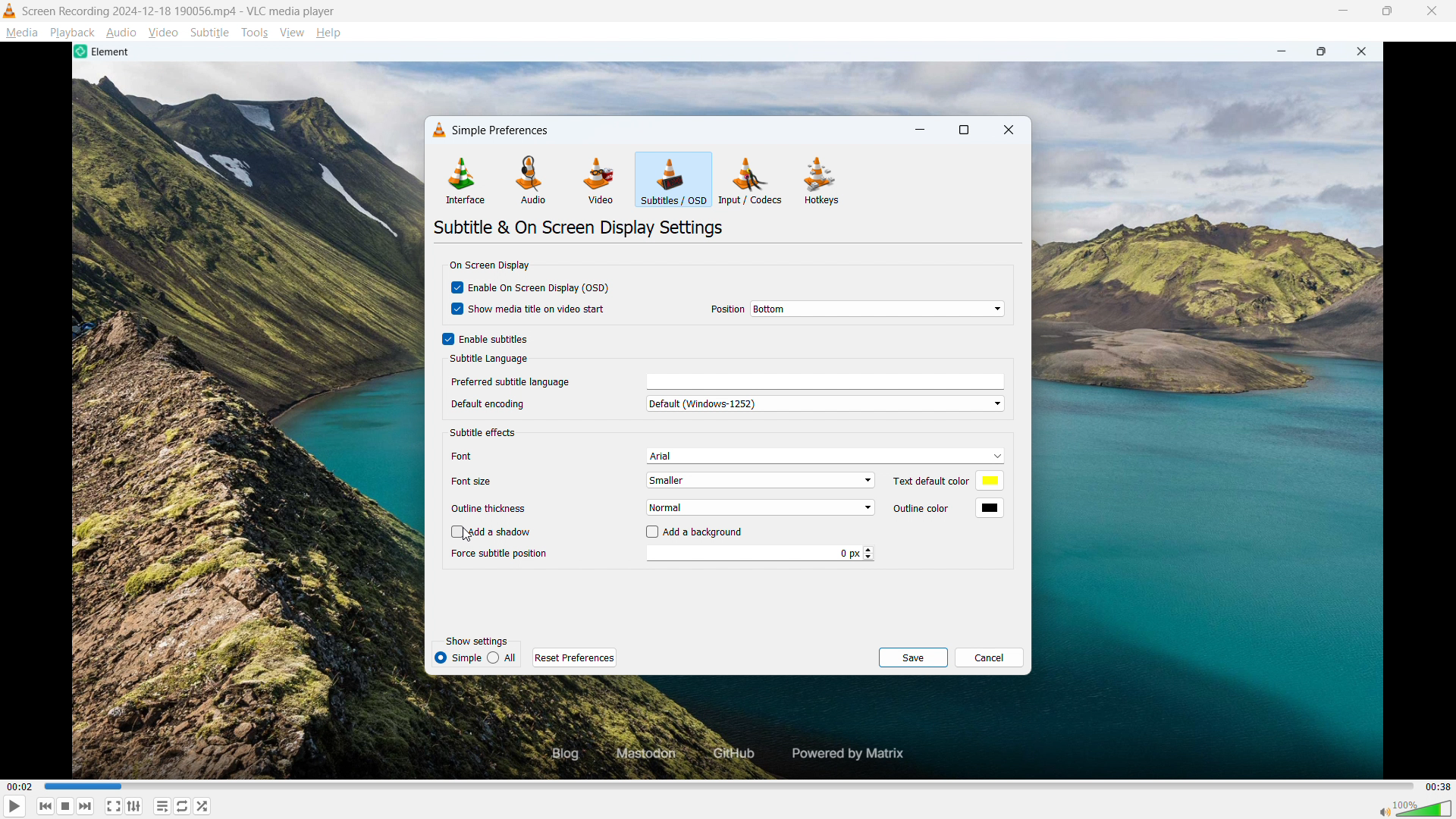 This screenshot has height=819, width=1456. What do you see at coordinates (256, 33) in the screenshot?
I see `Tools ` at bounding box center [256, 33].